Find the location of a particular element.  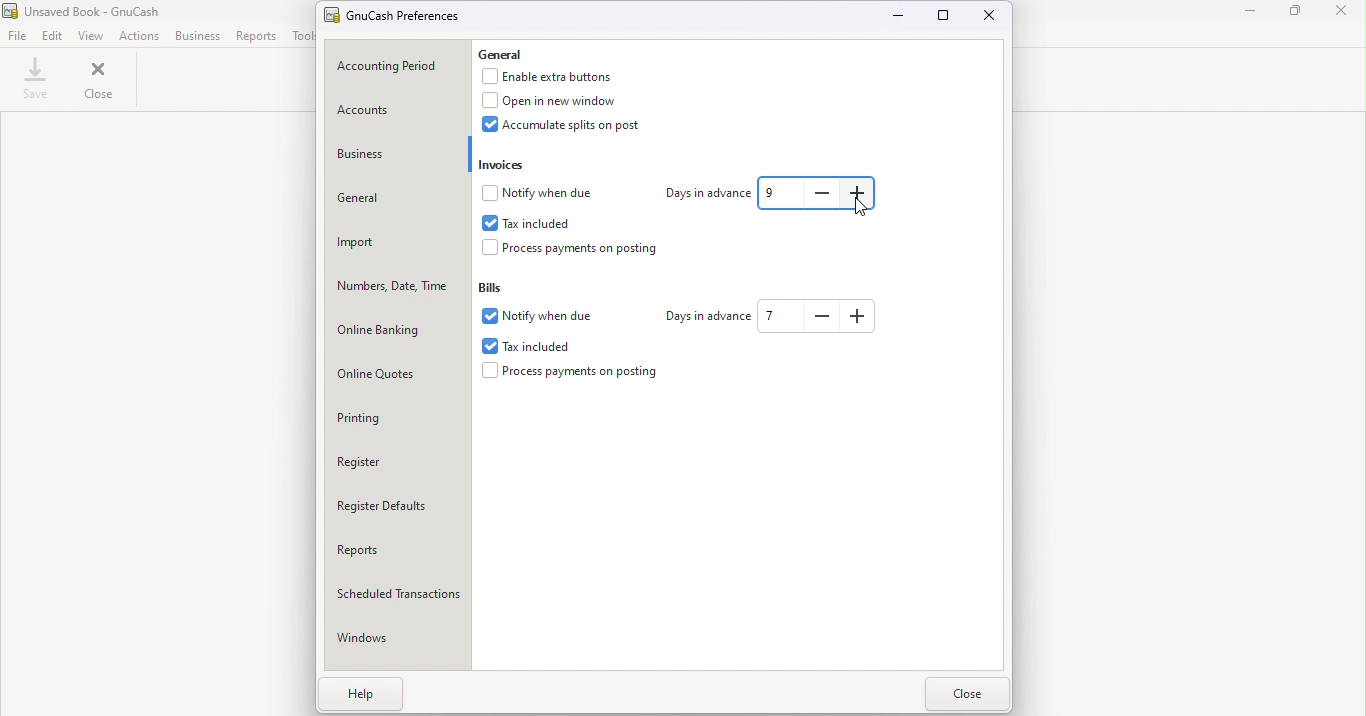

Import is located at coordinates (396, 244).